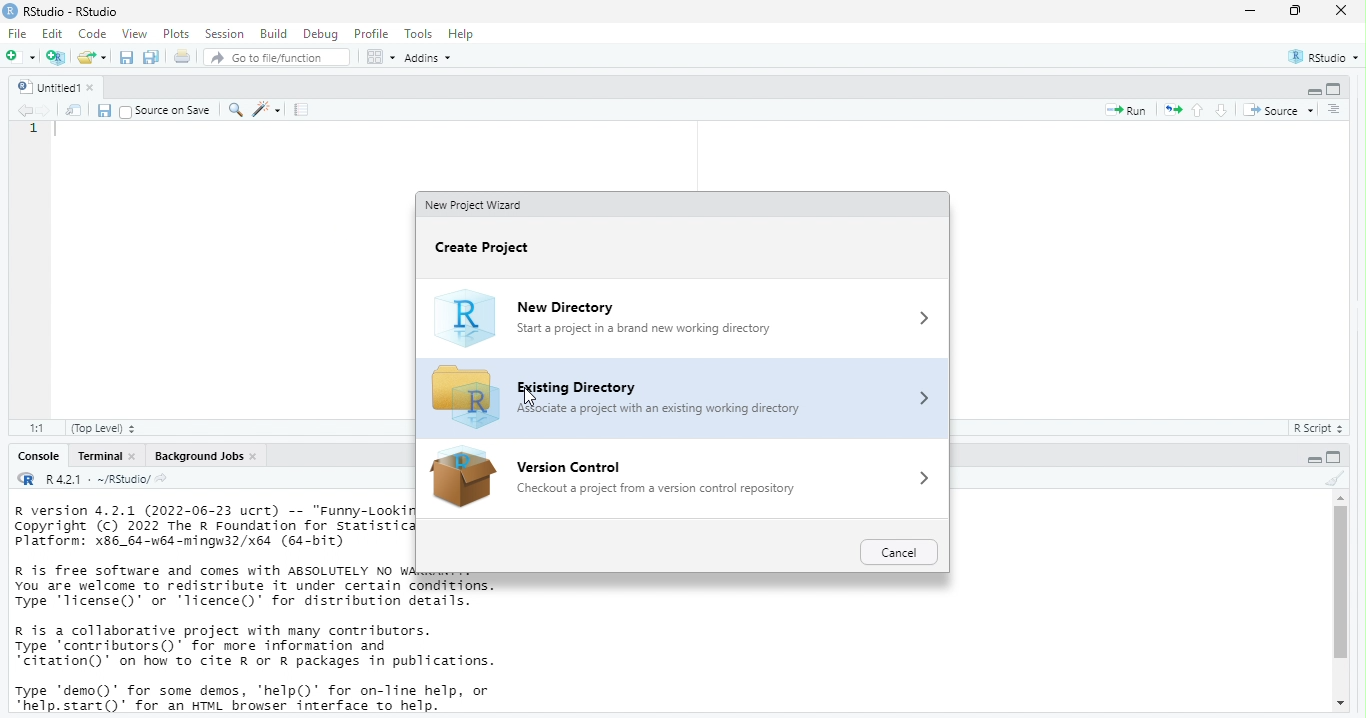 This screenshot has width=1366, height=718. I want to click on minimize, so click(1310, 457).